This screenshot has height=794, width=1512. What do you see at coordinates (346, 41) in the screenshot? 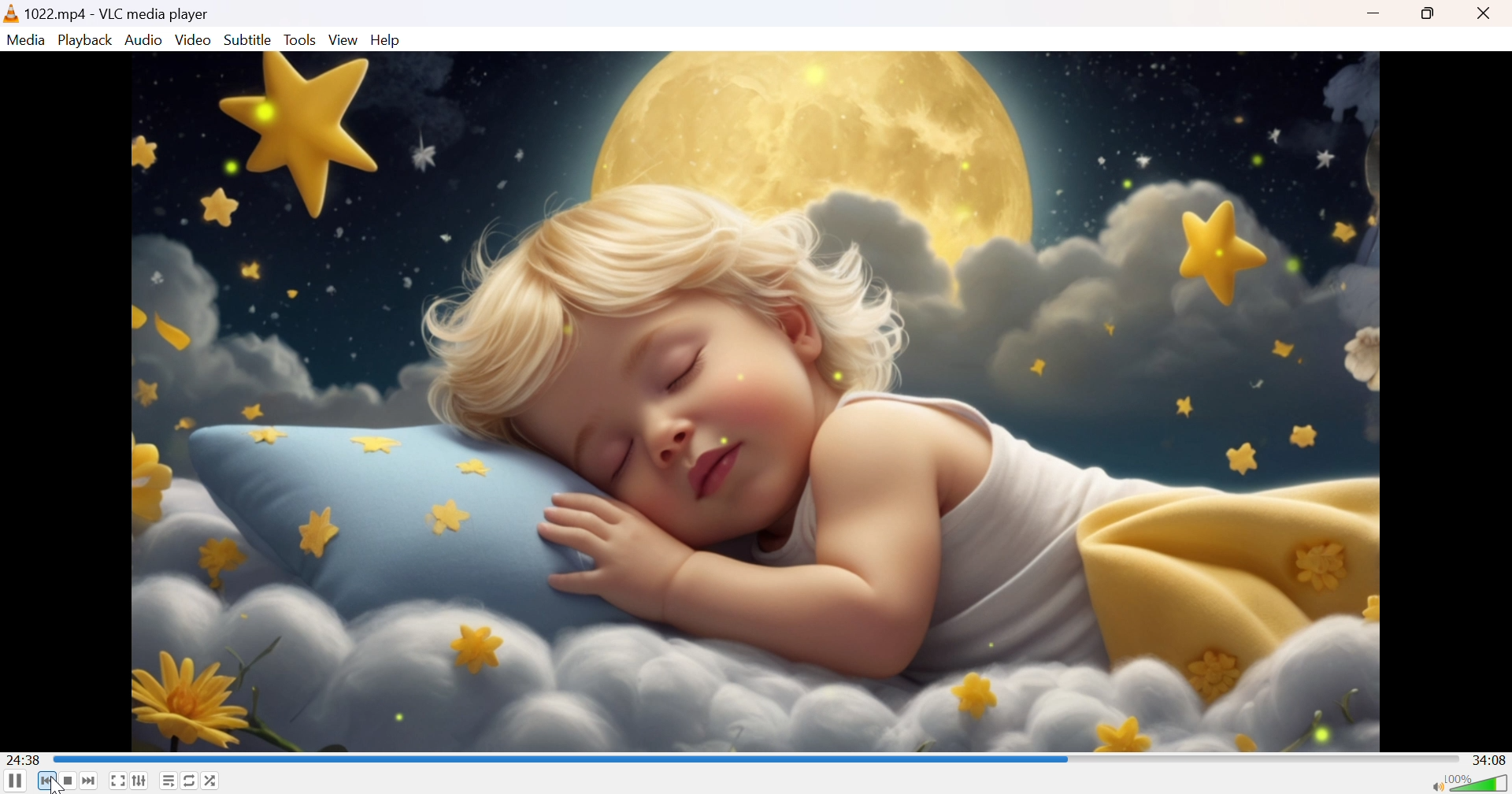
I see `View` at bounding box center [346, 41].